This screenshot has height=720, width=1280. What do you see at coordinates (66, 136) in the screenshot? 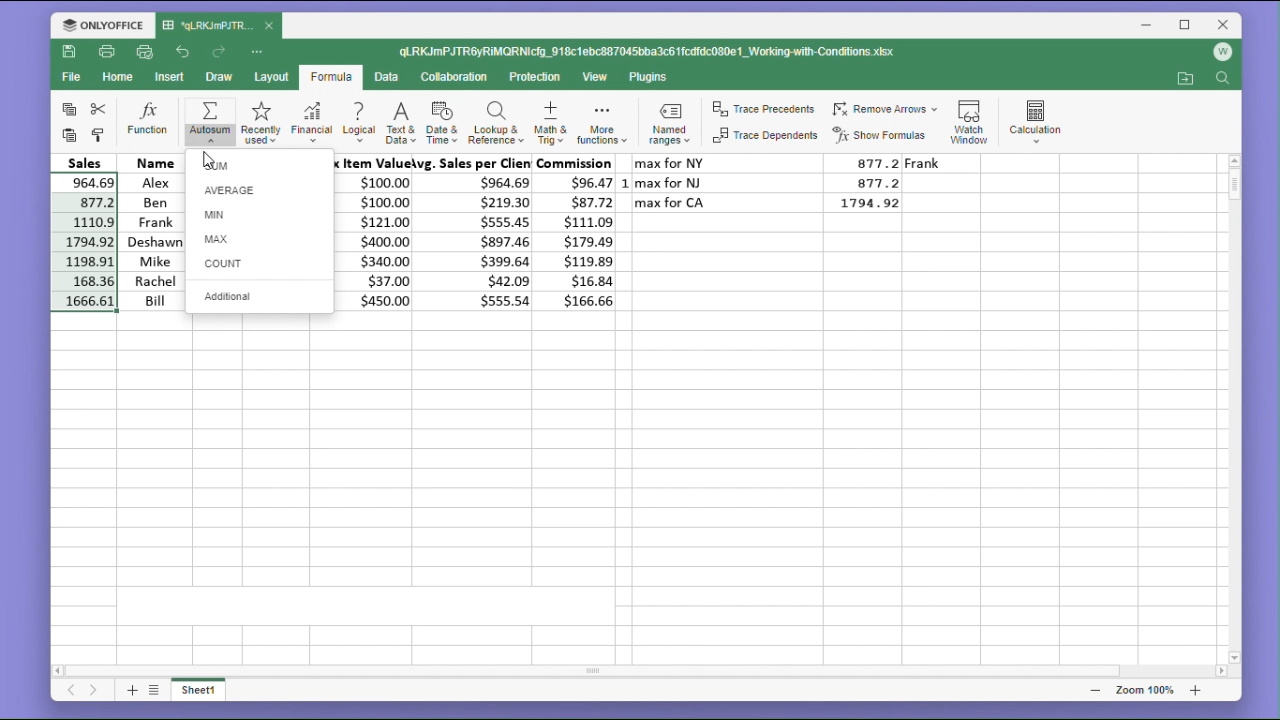
I see `paste` at bounding box center [66, 136].